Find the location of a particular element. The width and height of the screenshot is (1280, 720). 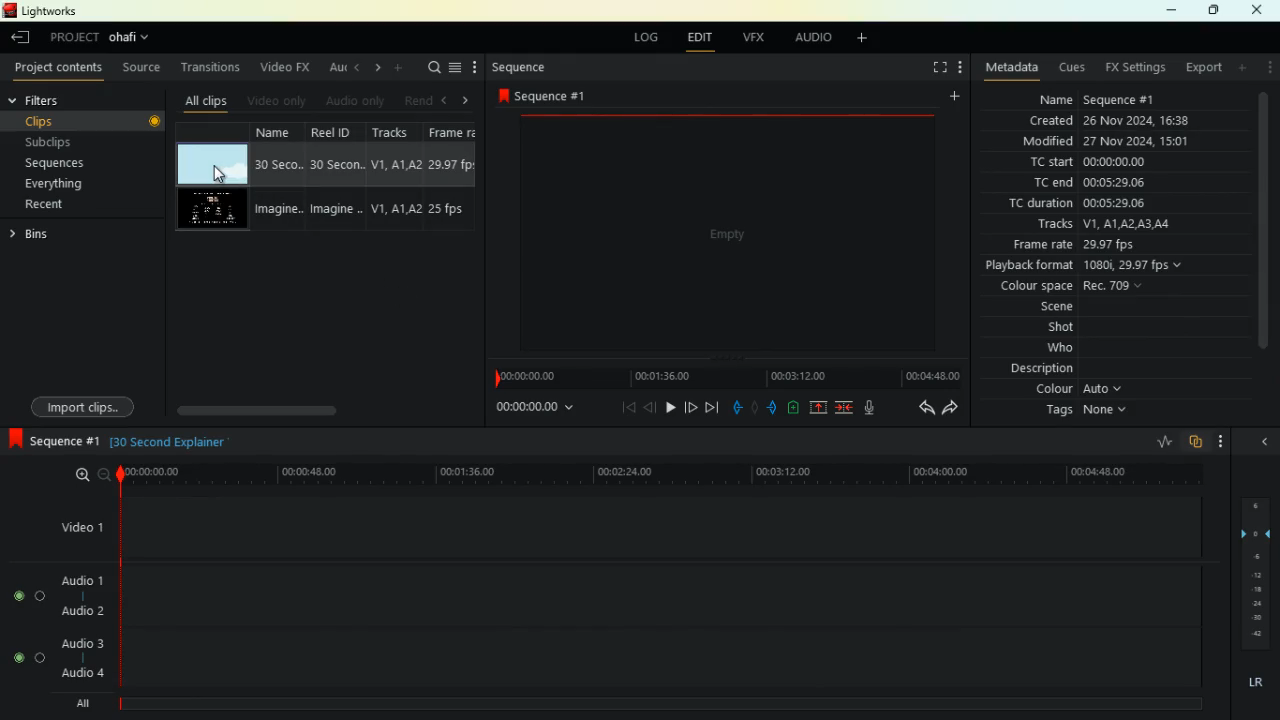

up is located at coordinates (815, 408).